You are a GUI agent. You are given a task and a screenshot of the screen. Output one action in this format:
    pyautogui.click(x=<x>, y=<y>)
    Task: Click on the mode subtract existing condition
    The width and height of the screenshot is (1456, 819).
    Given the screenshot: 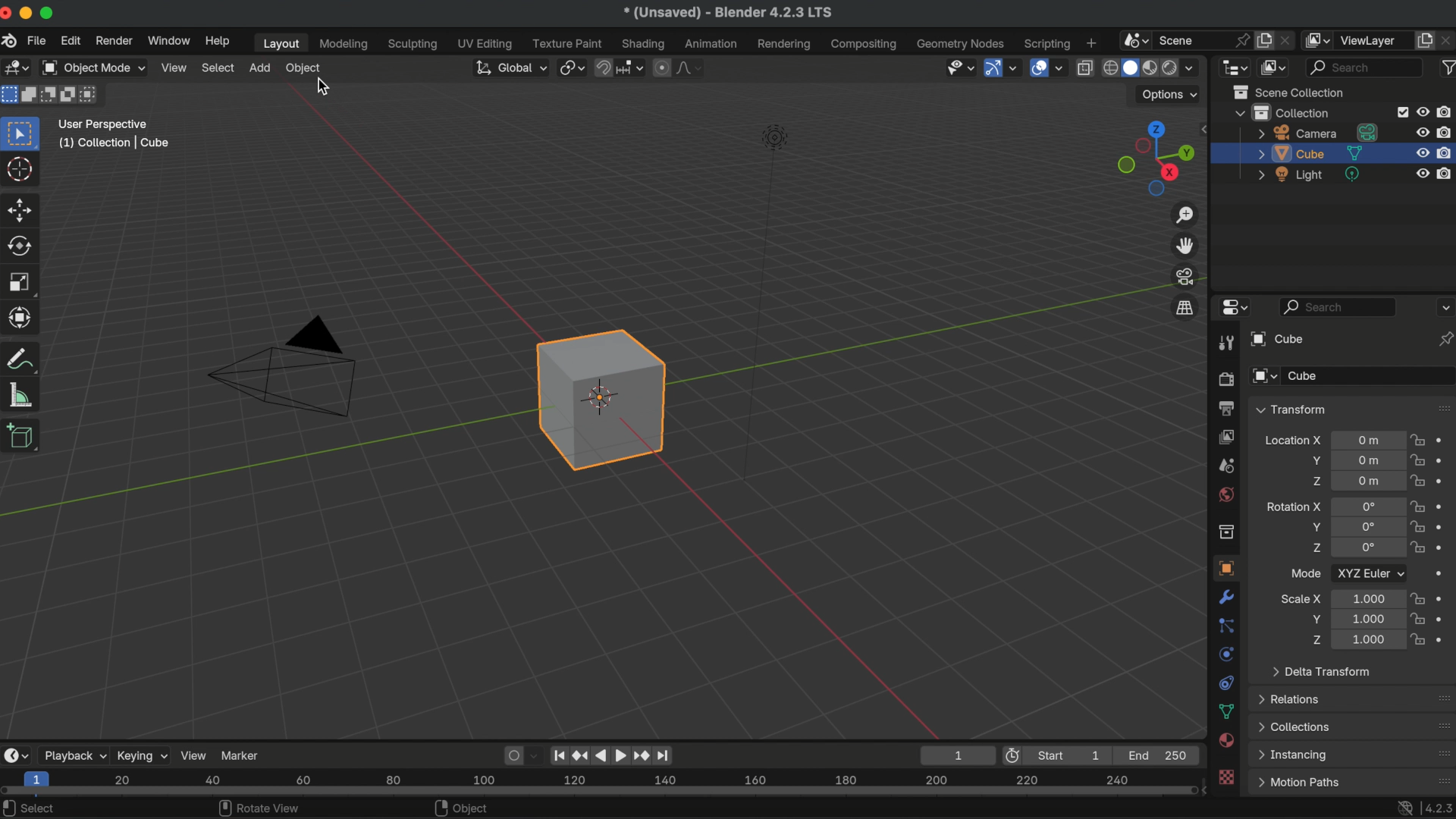 What is the action you would take?
    pyautogui.click(x=49, y=95)
    